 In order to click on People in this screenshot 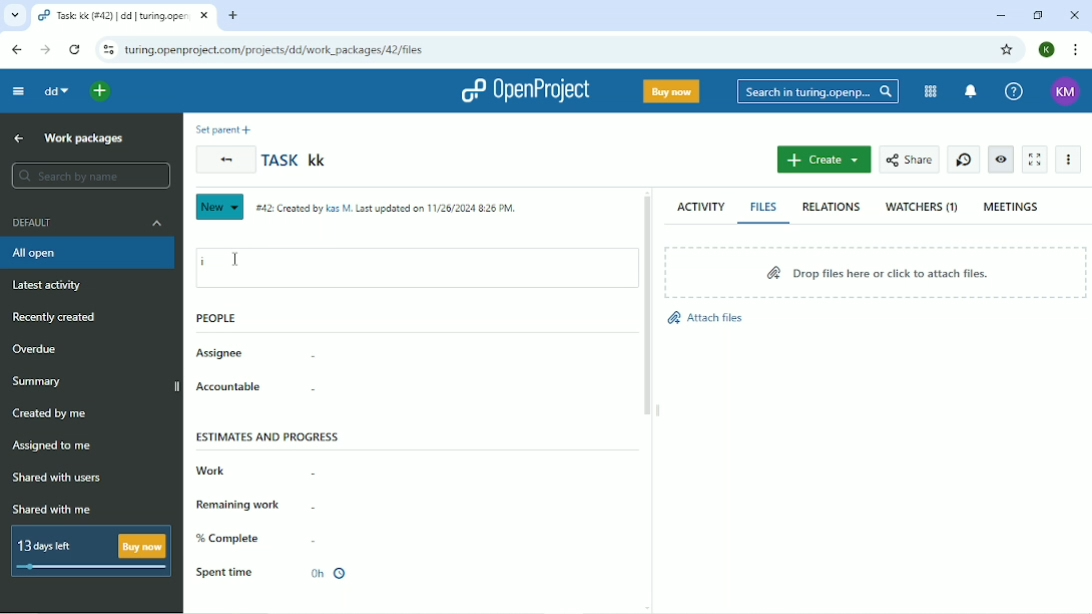, I will do `click(218, 319)`.